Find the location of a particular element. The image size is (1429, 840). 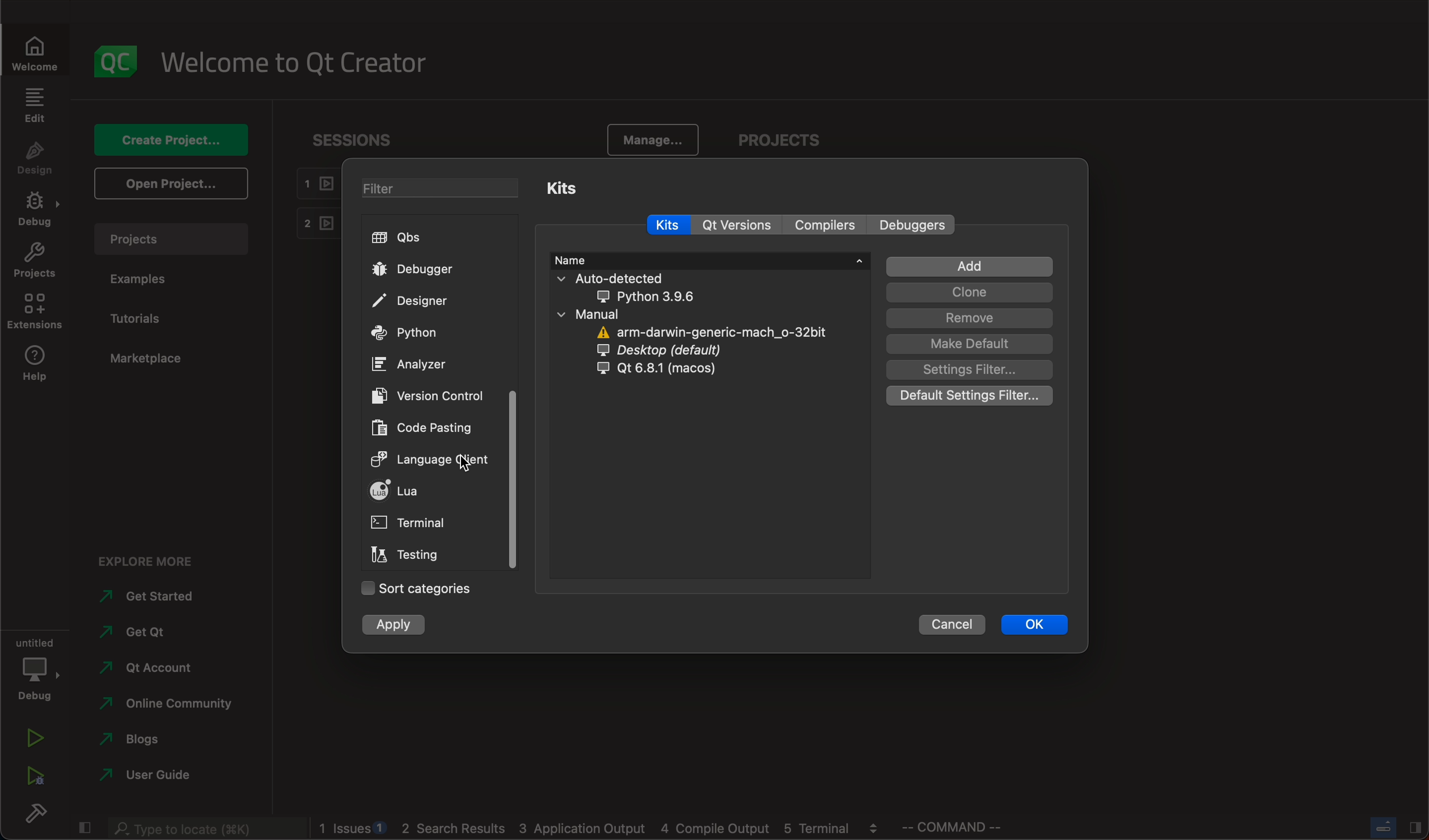

close slide bar is located at coordinates (1390, 826).